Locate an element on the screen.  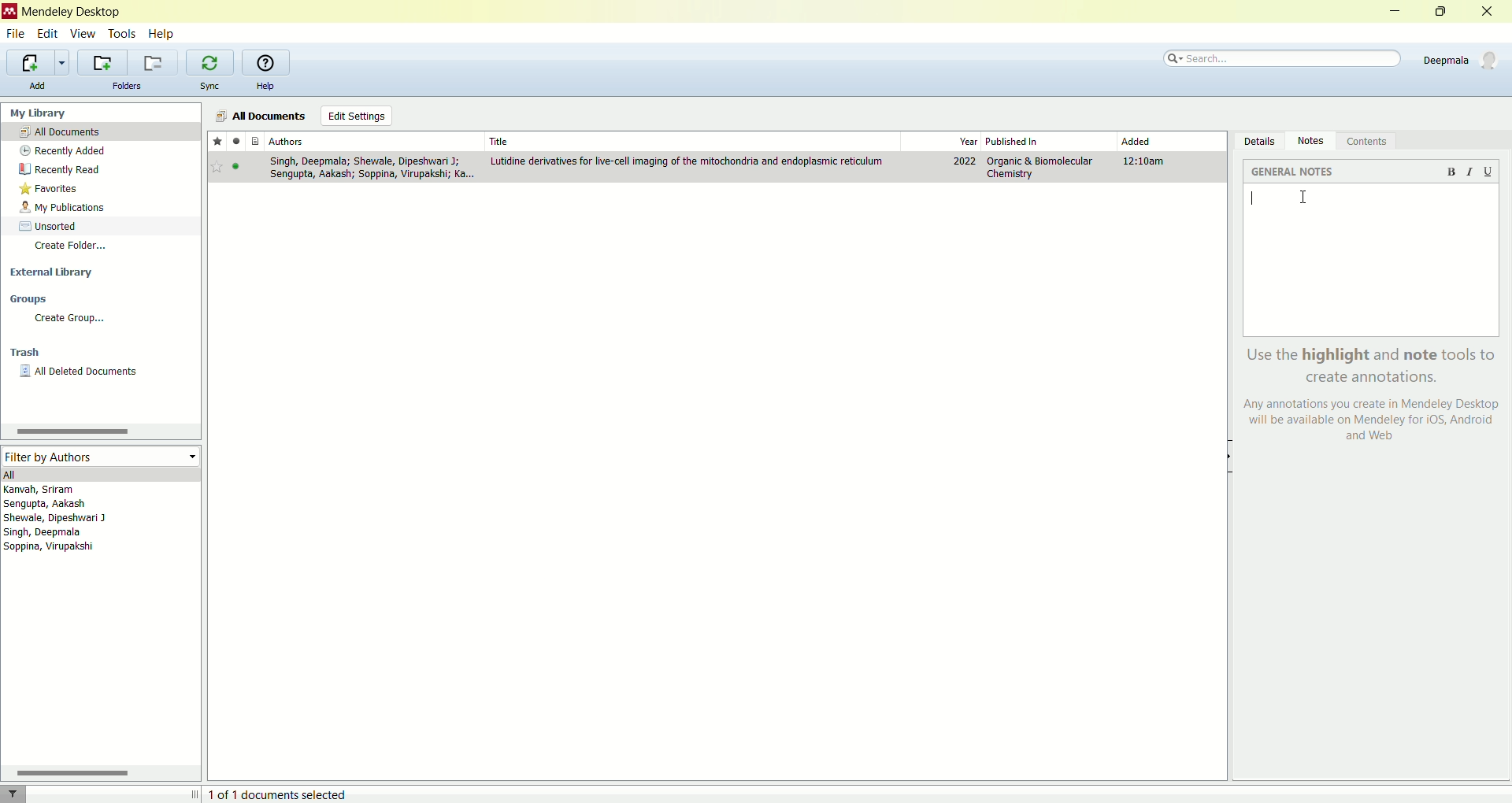
Singh, Deepmala is located at coordinates (51, 534).